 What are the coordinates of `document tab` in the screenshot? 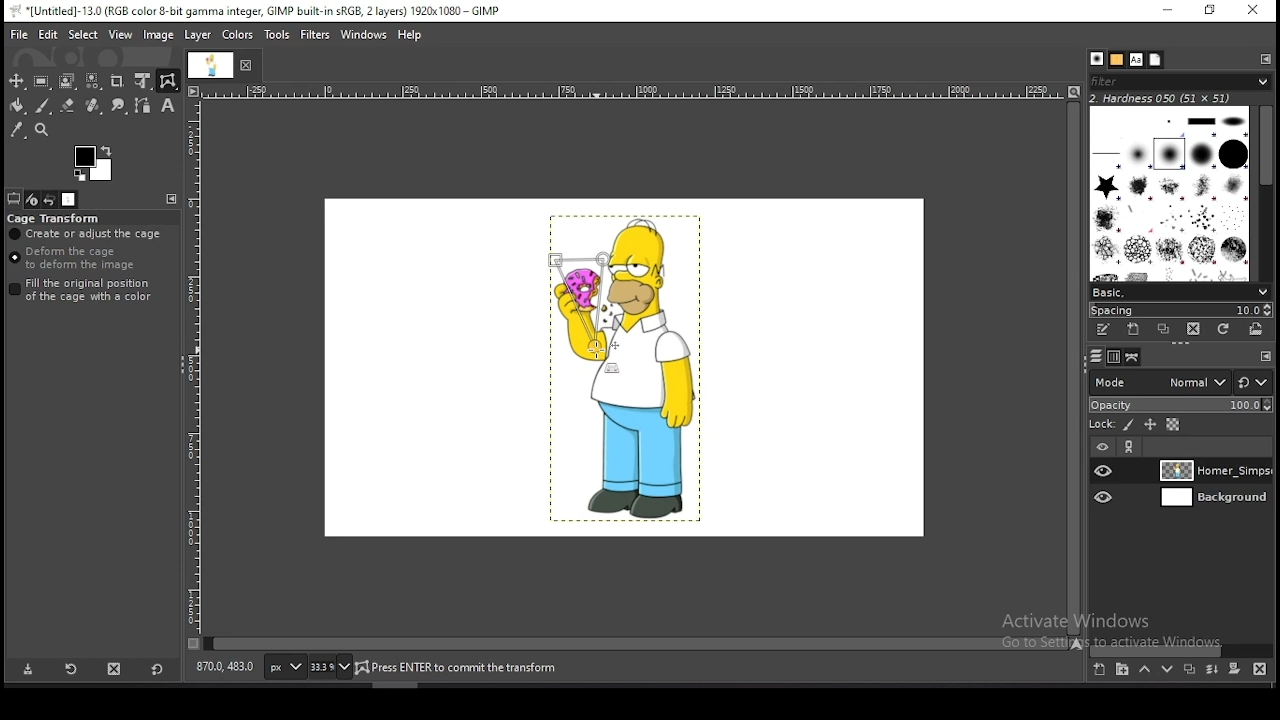 It's located at (211, 66).